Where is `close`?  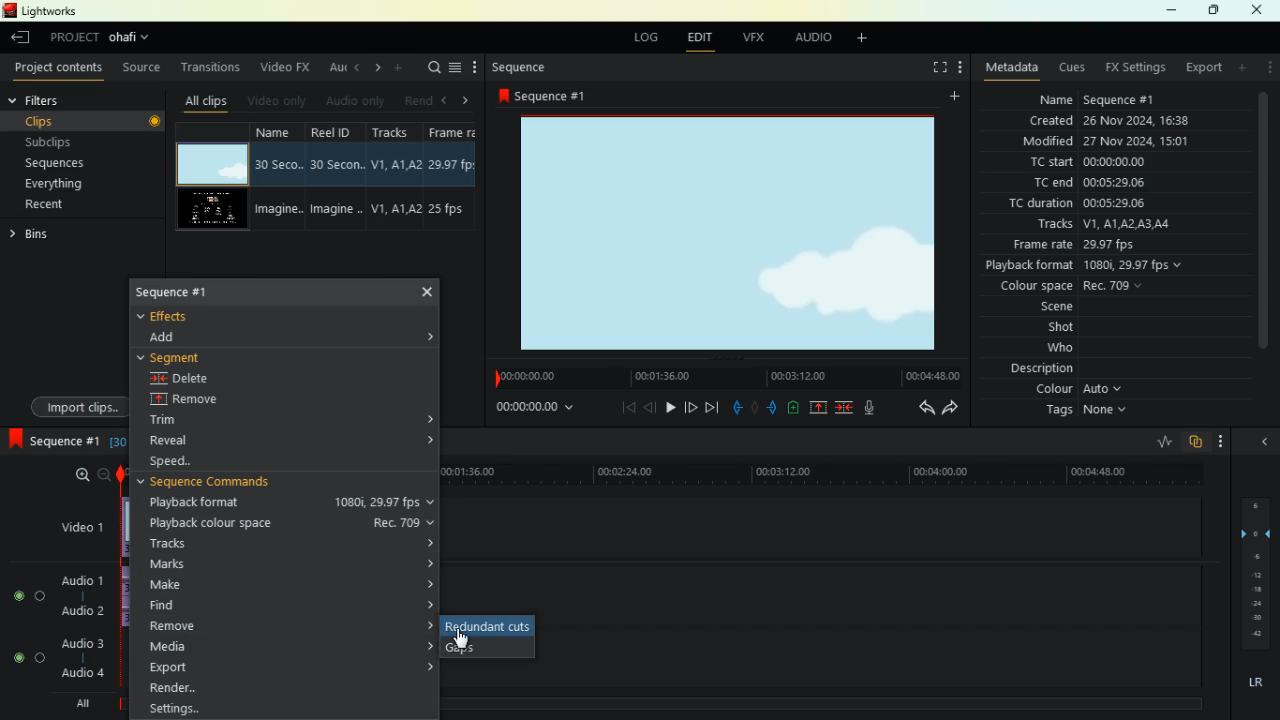
close is located at coordinates (1260, 10).